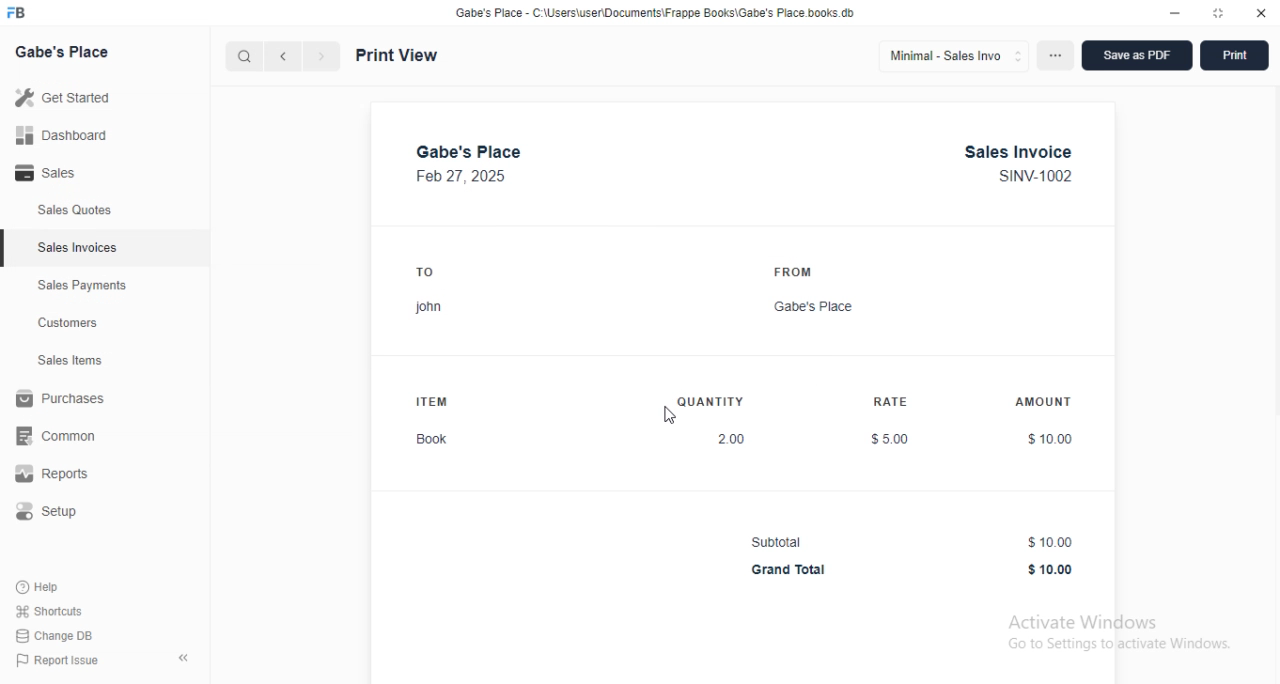 The image size is (1280, 684). What do you see at coordinates (426, 272) in the screenshot?
I see `TO` at bounding box center [426, 272].